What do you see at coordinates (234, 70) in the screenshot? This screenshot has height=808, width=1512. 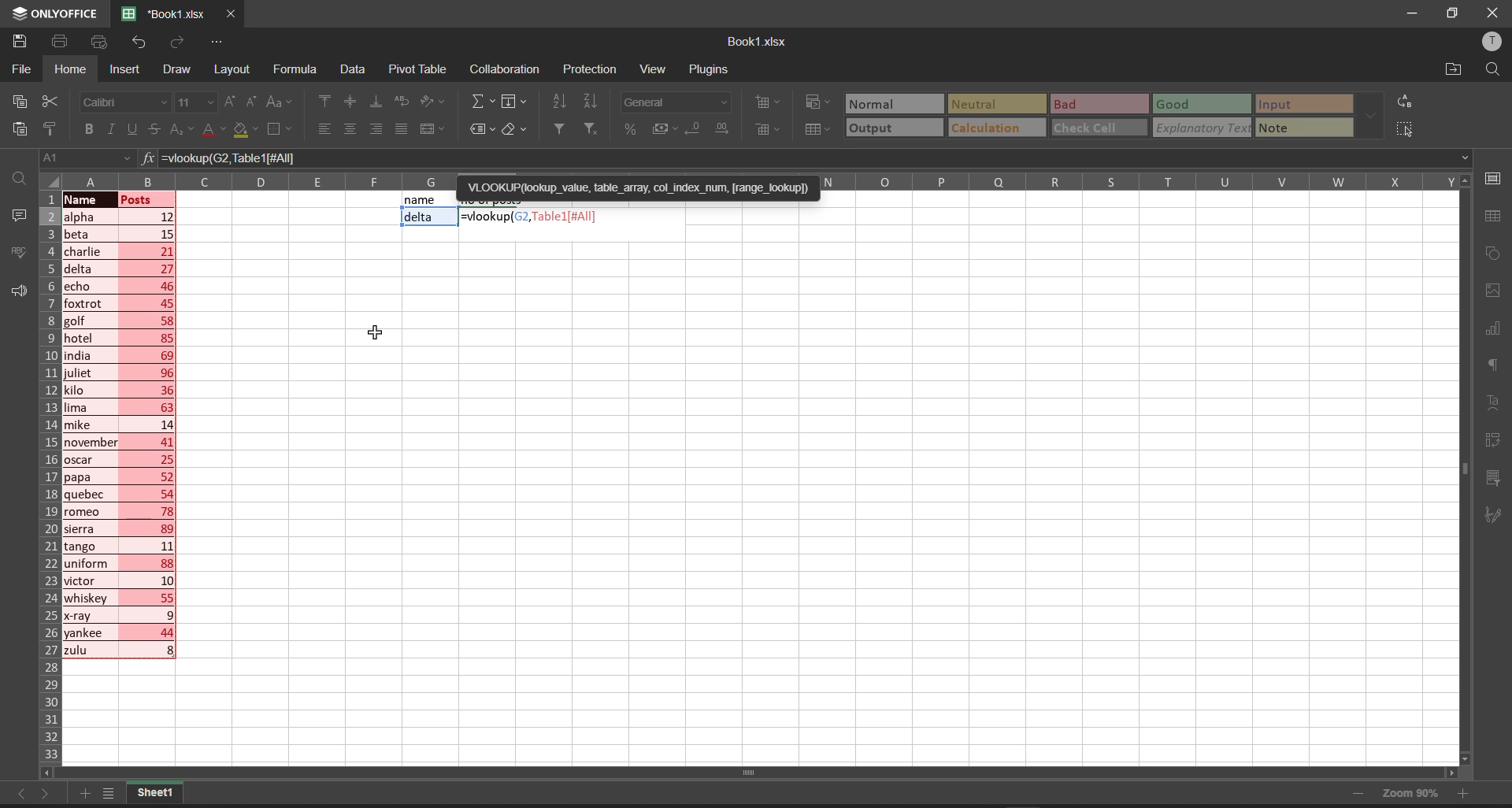 I see `layout` at bounding box center [234, 70].